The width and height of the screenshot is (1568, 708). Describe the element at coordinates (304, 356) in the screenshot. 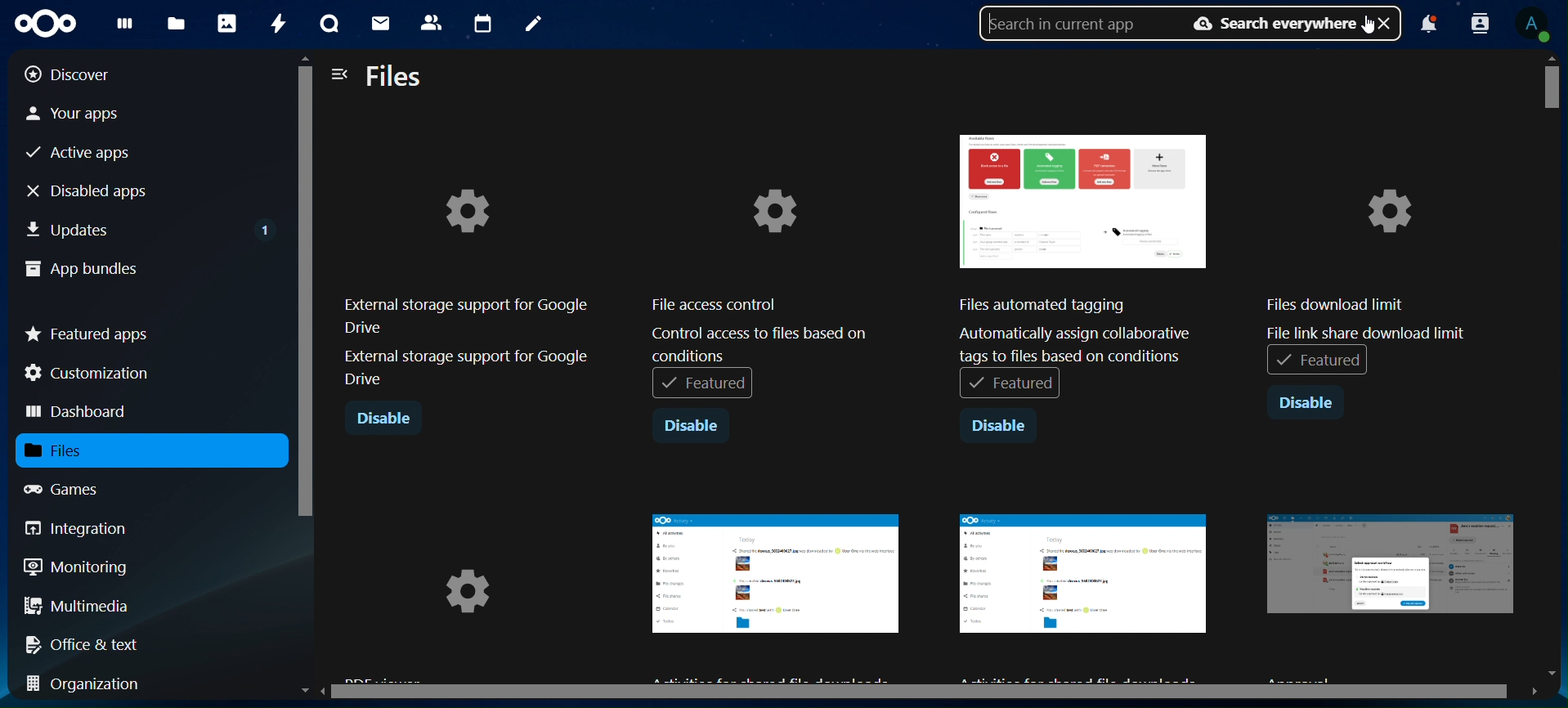

I see `scrollbar` at that location.